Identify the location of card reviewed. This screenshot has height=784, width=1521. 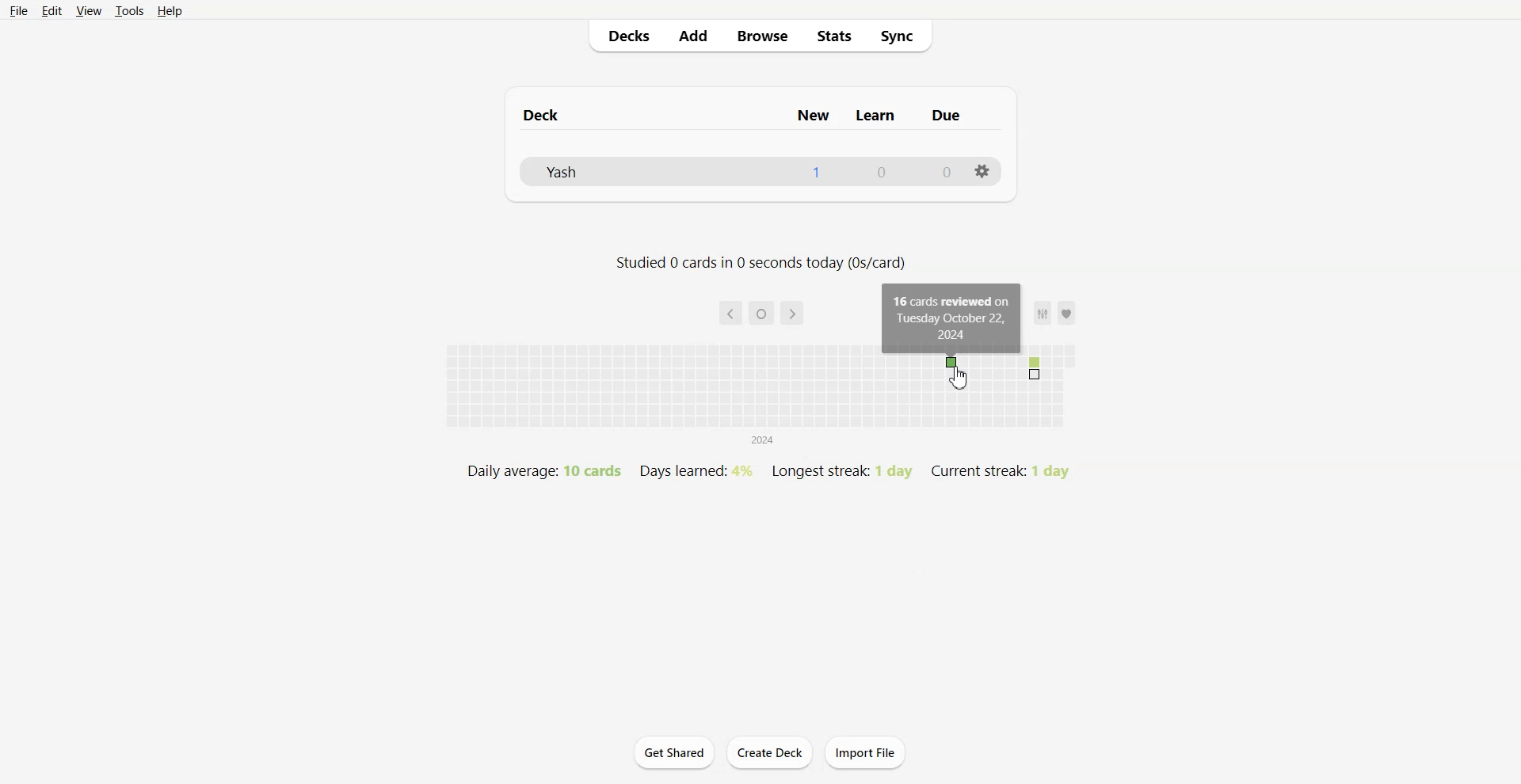
(950, 362).